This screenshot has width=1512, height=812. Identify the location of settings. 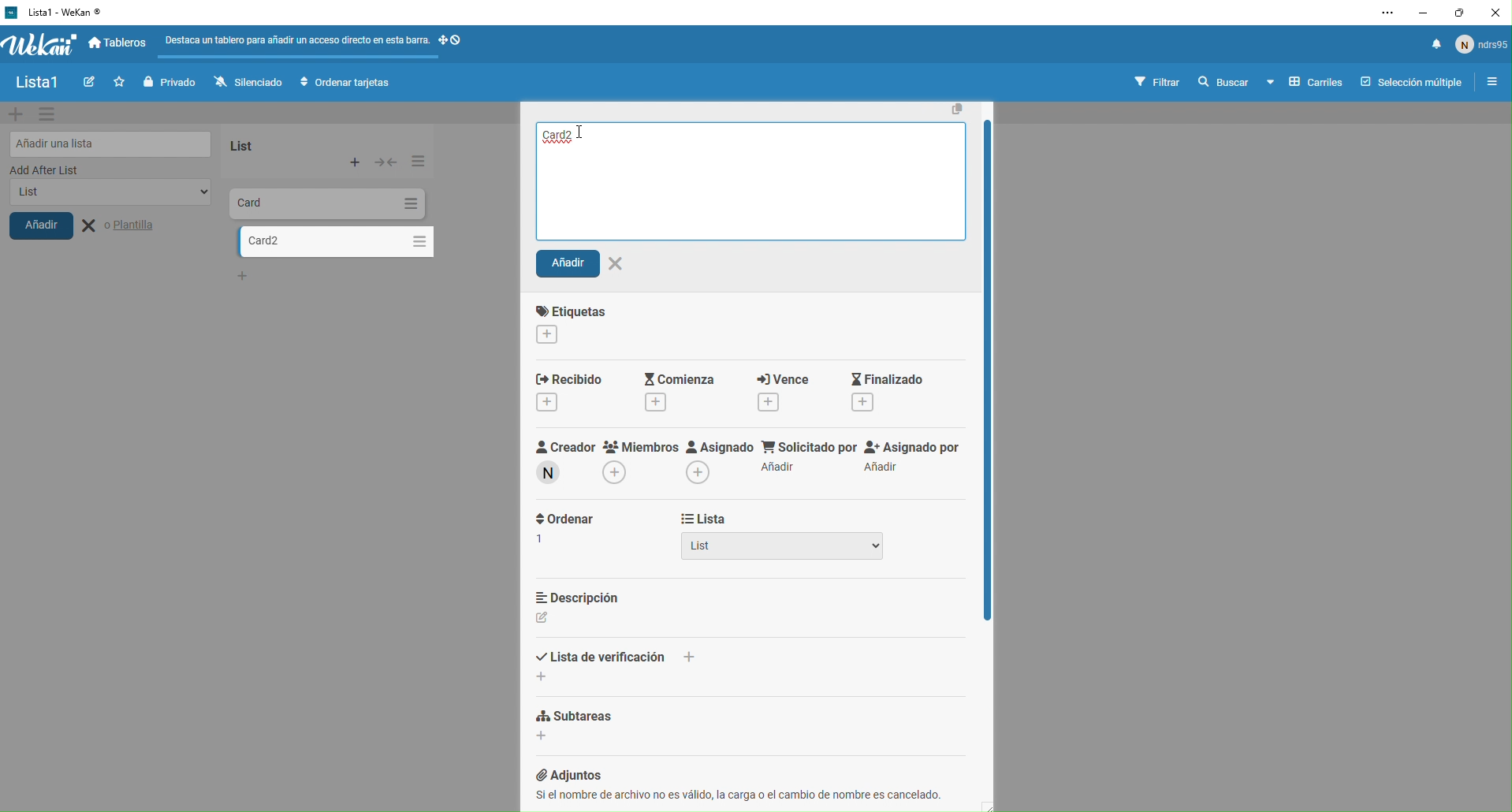
(1380, 14).